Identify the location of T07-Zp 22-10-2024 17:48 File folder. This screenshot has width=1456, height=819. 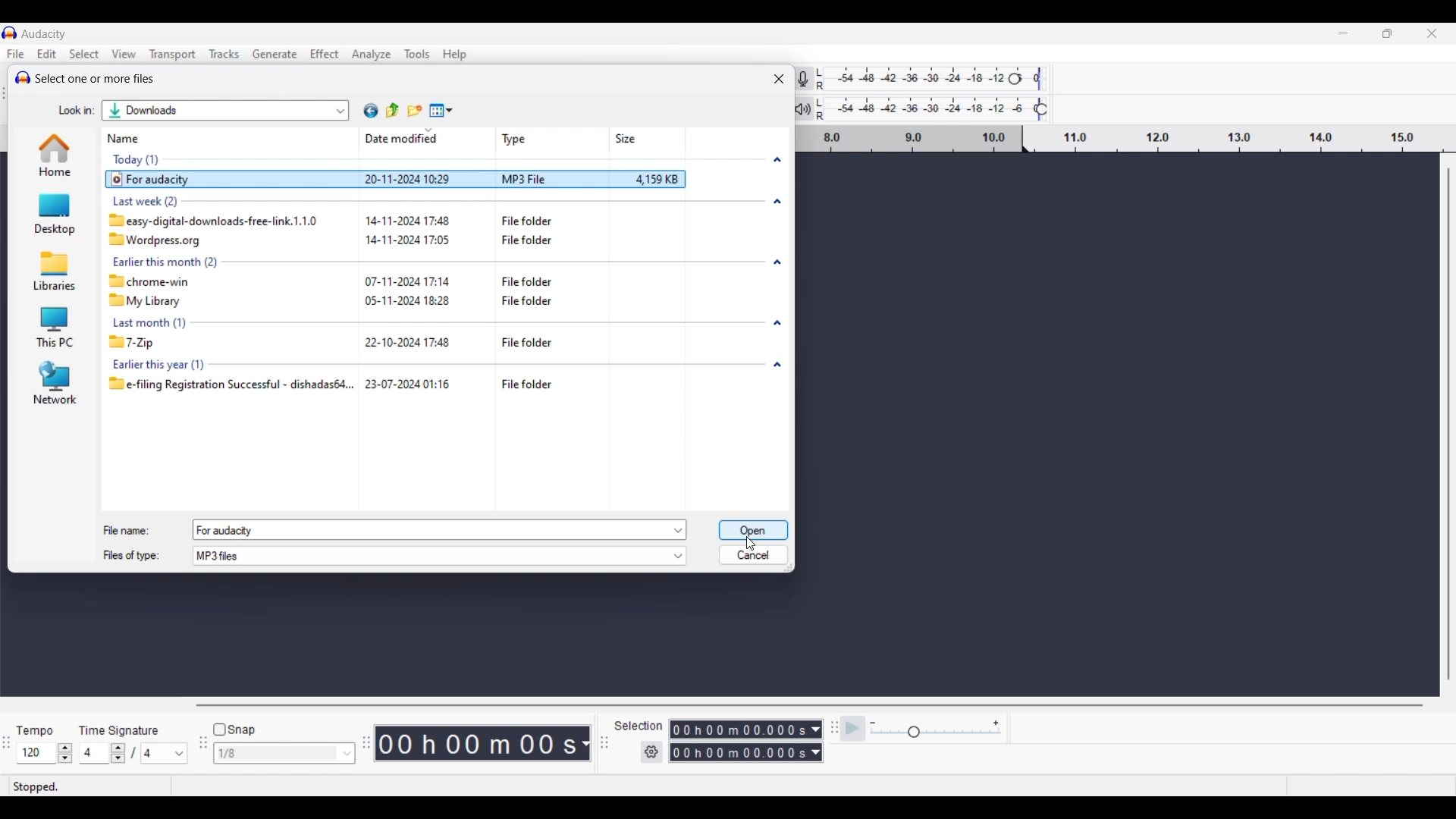
(382, 342).